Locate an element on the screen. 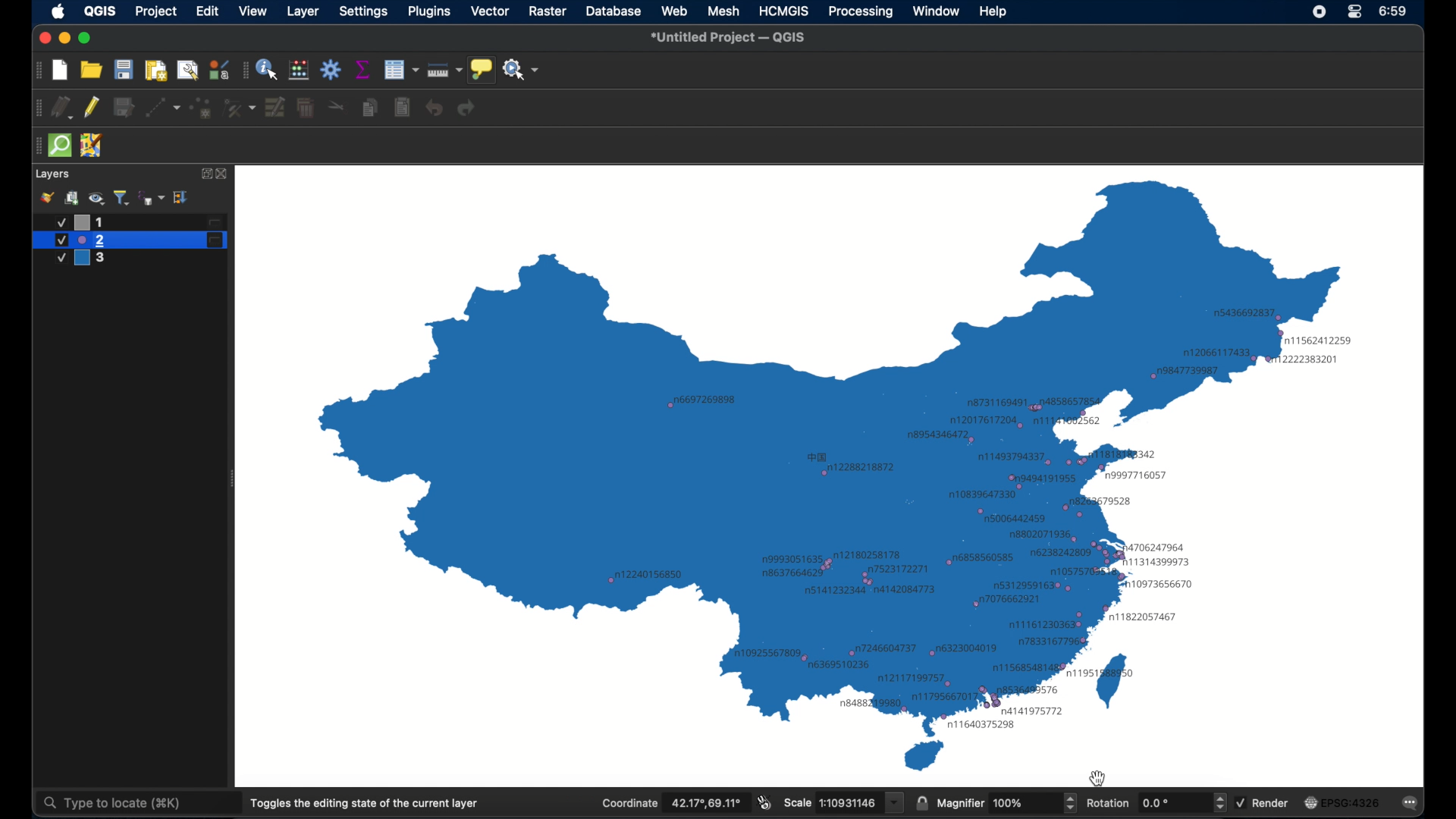 The image size is (1456, 819). web is located at coordinates (674, 11).